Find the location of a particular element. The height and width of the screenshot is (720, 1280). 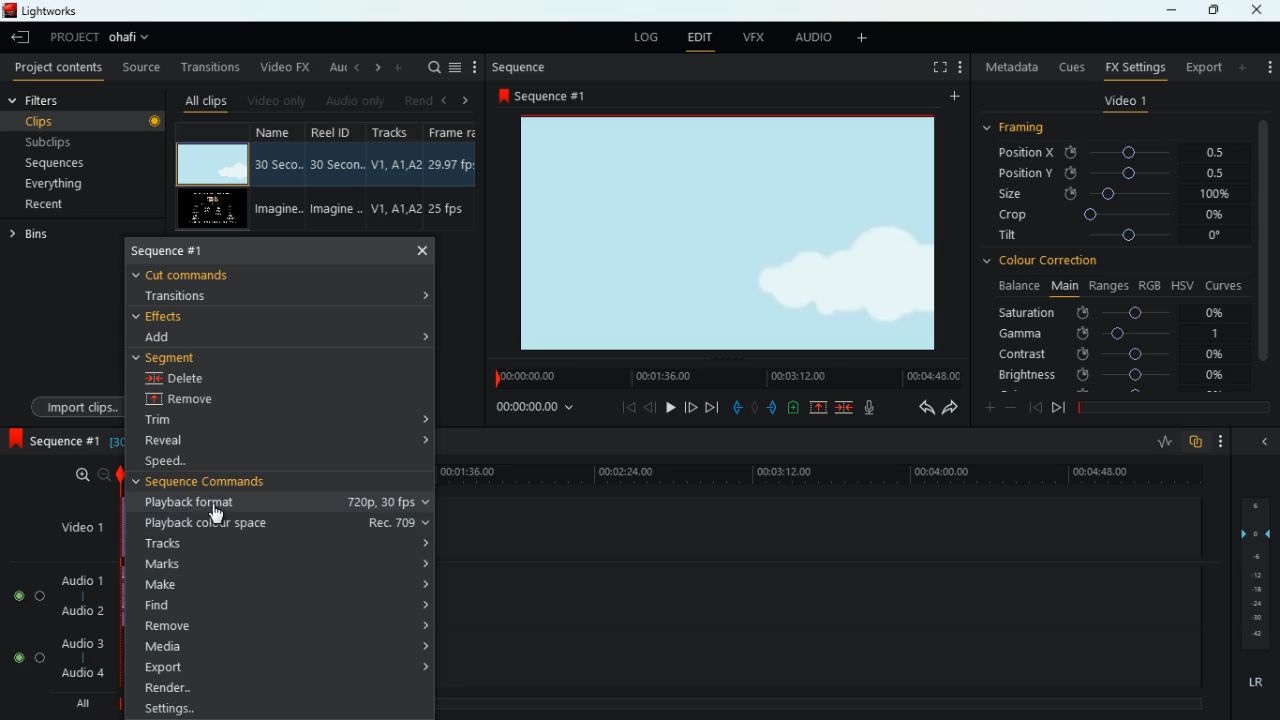

bins is located at coordinates (36, 237).